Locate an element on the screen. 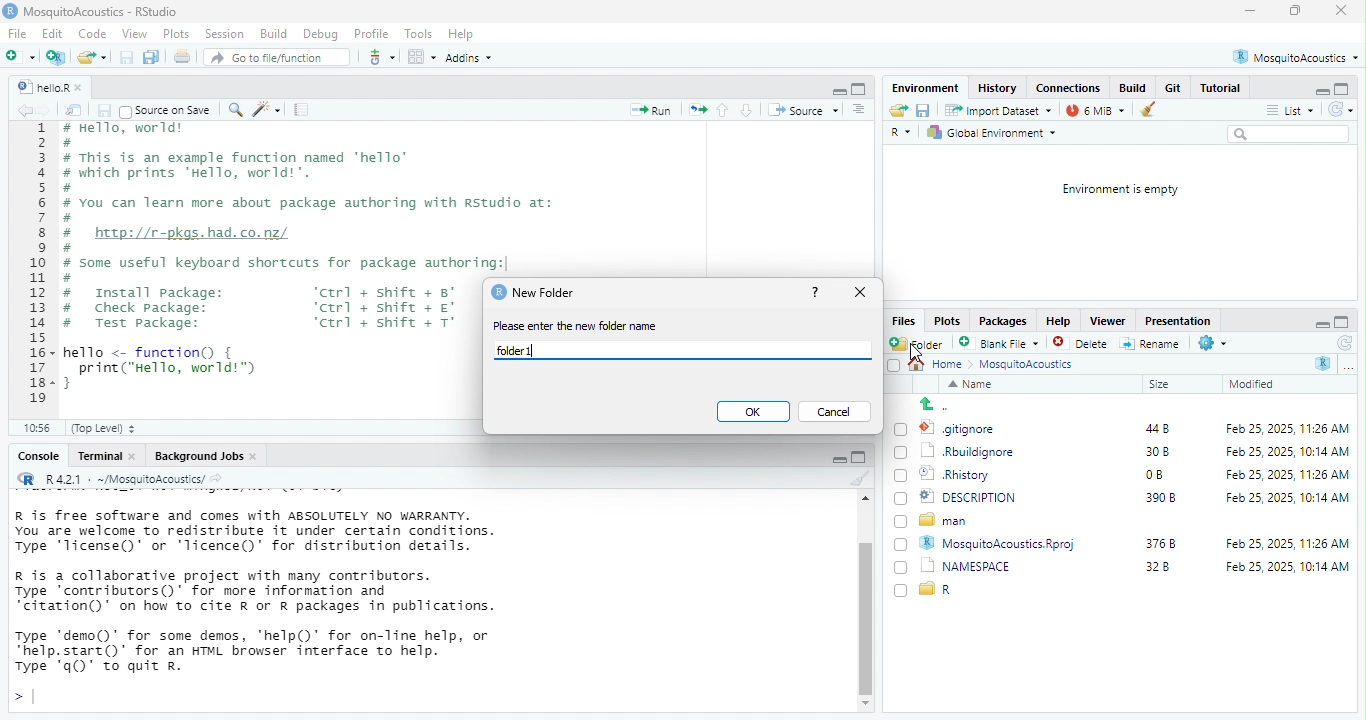 This screenshot has height=720, width=1366.  man is located at coordinates (950, 521).